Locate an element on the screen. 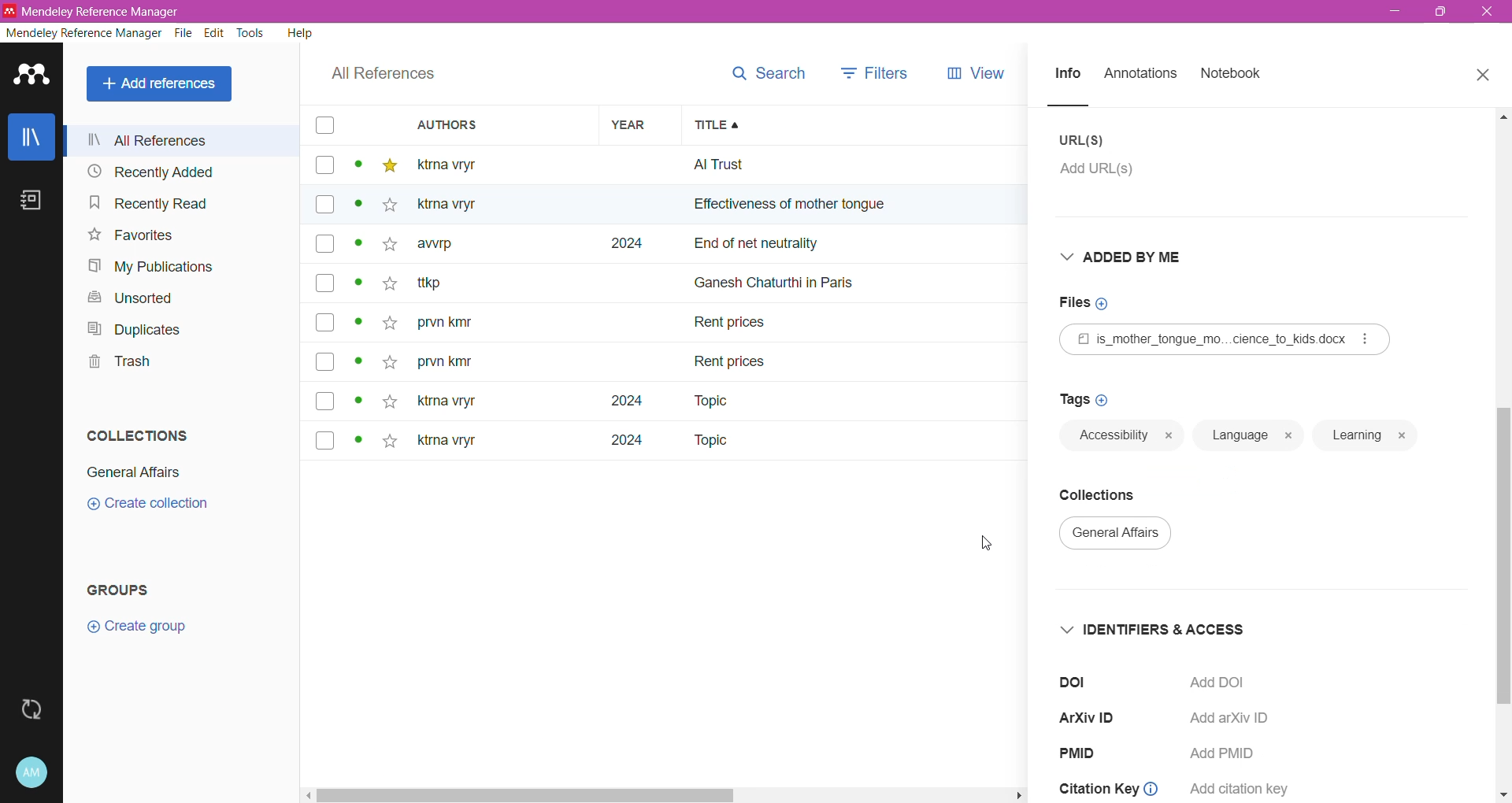 The height and width of the screenshot is (803, 1512). Tools is located at coordinates (252, 33).